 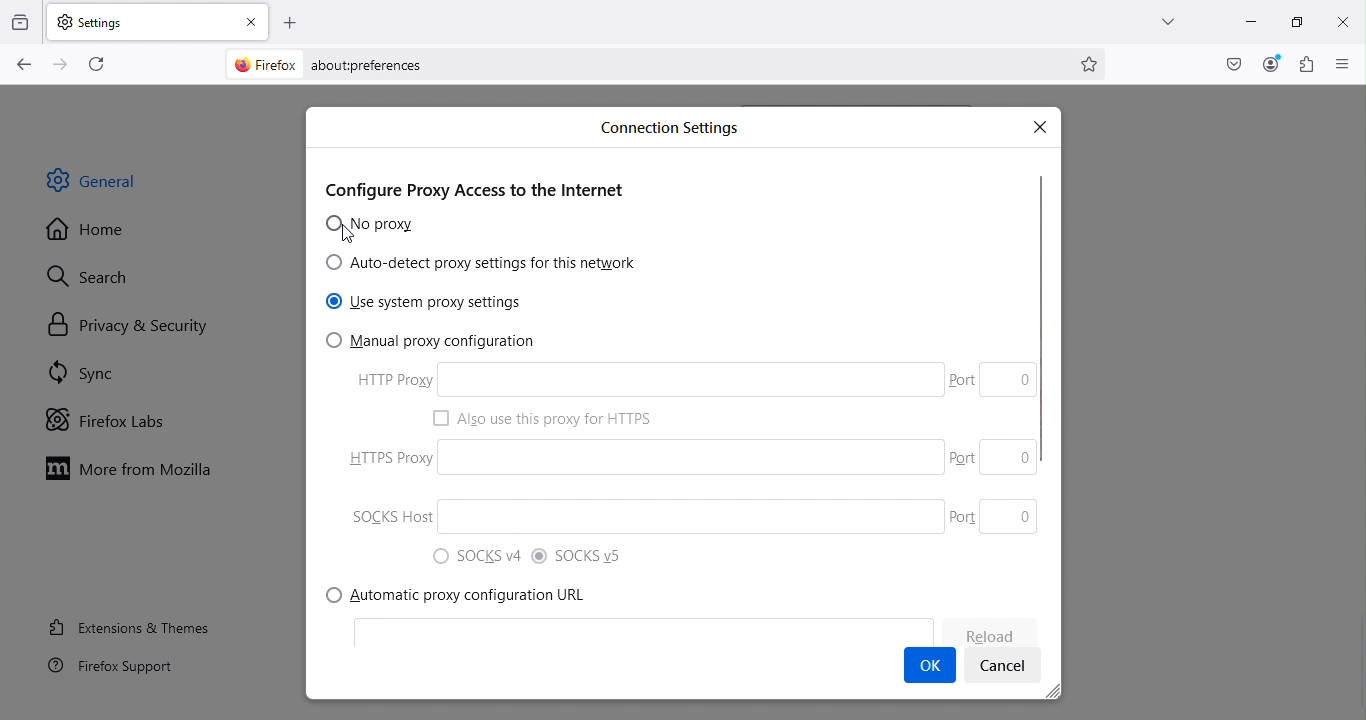 I want to click on Port, so click(x=1010, y=515).